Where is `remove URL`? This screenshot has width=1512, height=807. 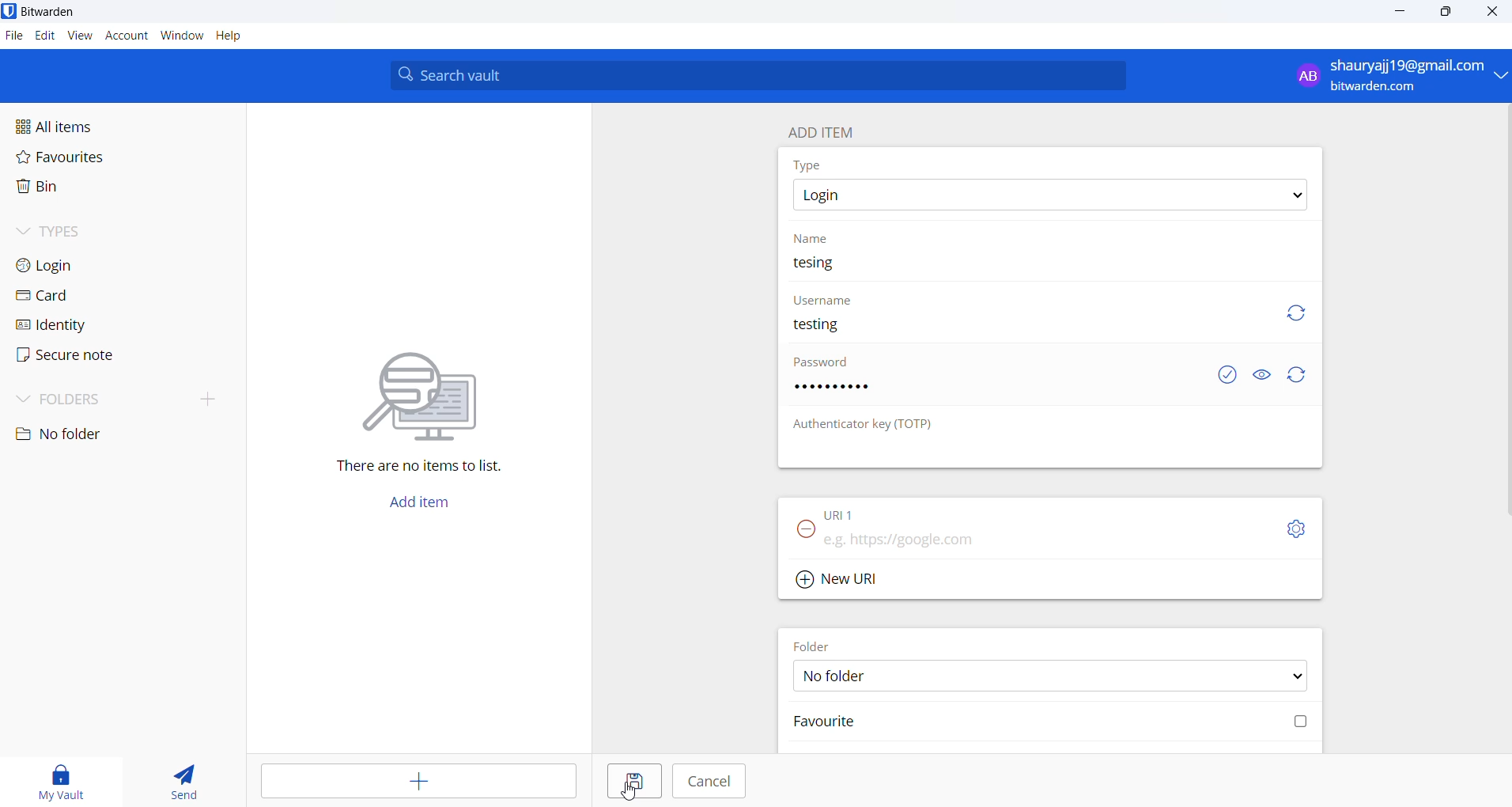 remove URL is located at coordinates (807, 534).